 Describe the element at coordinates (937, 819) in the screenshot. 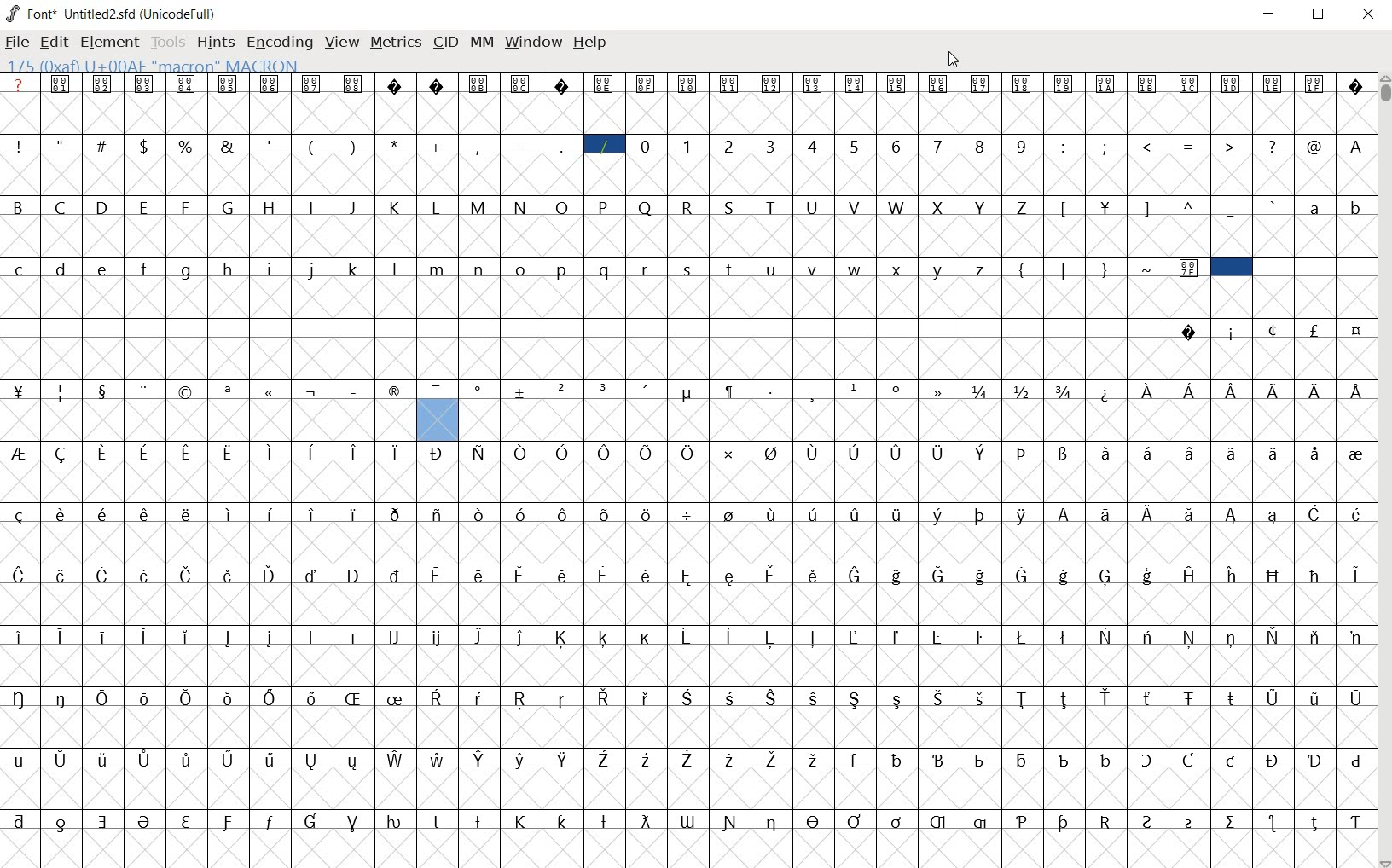

I see `Symbol` at that location.